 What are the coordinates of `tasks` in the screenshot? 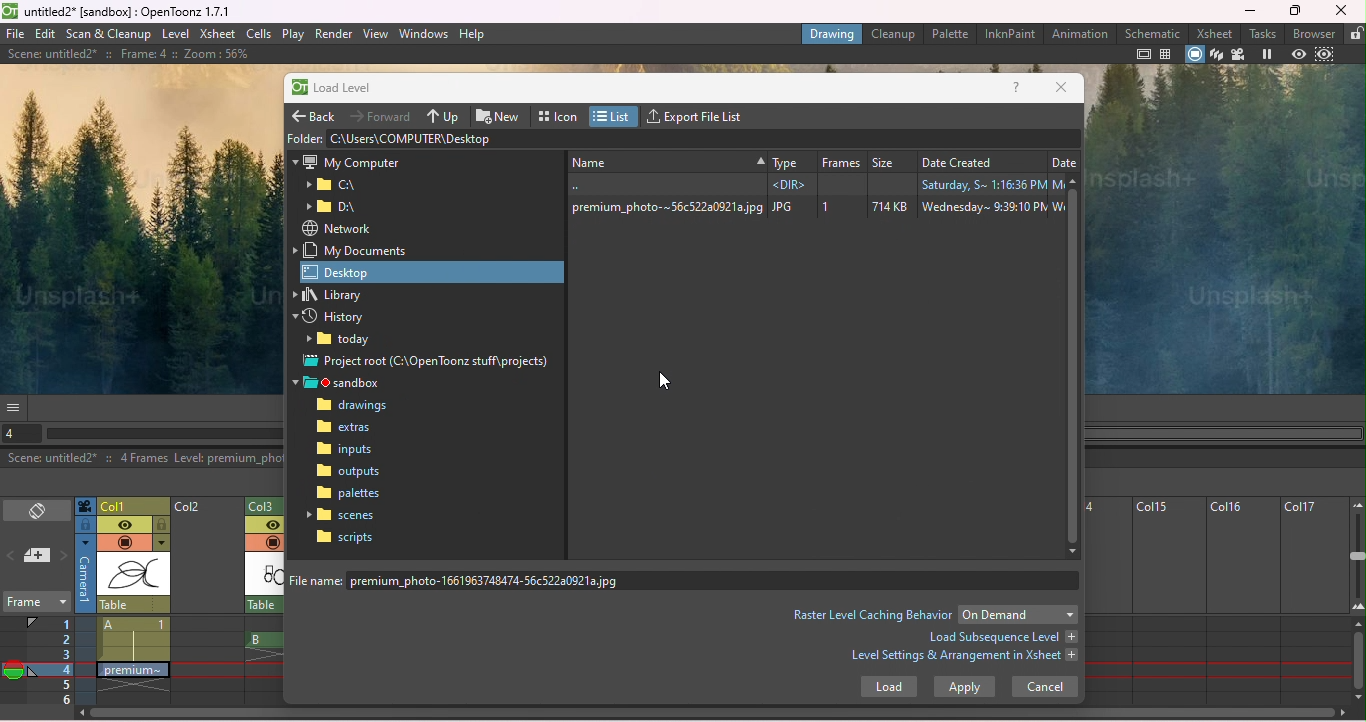 It's located at (1265, 33).